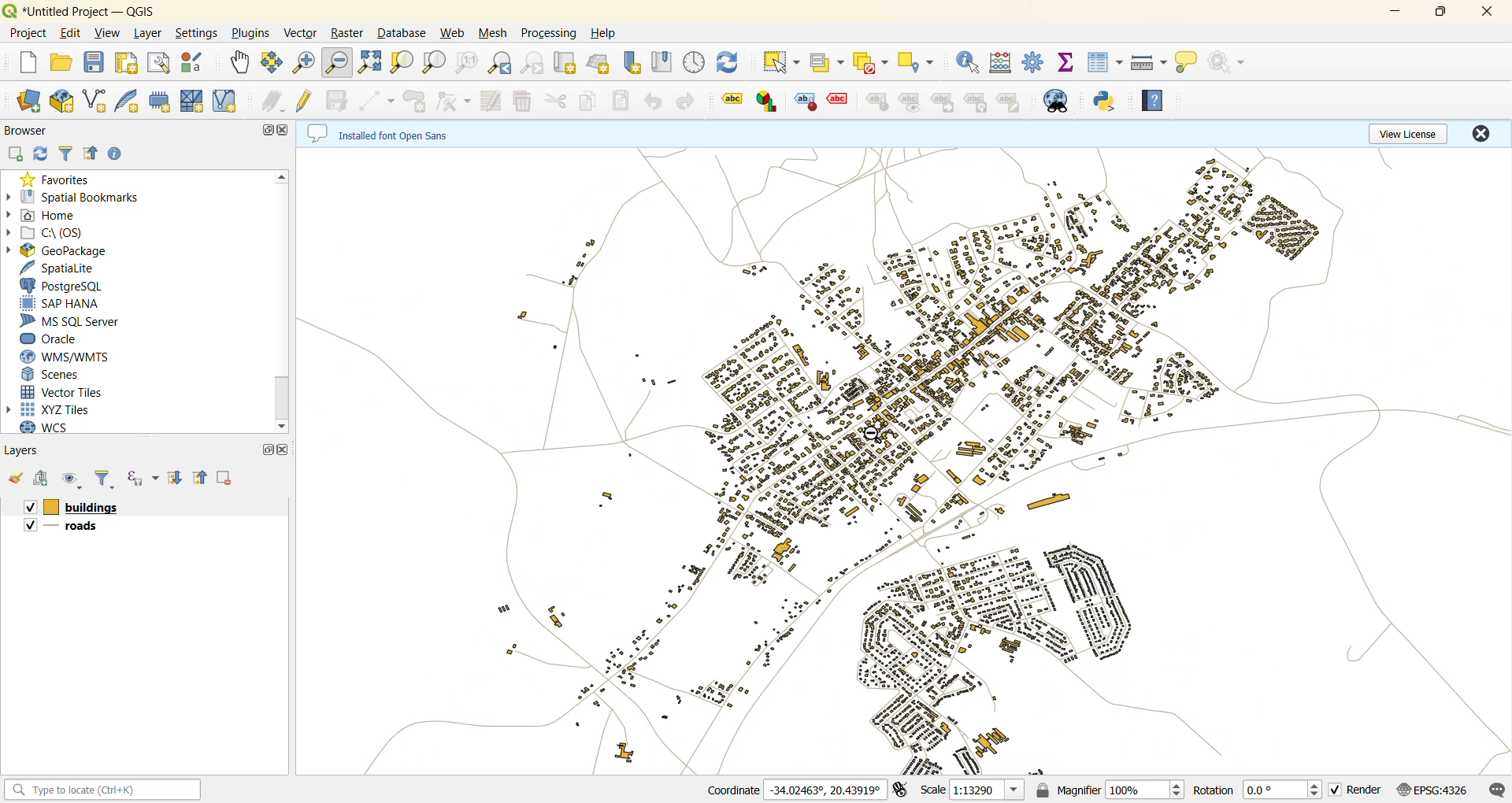 Image resolution: width=1512 pixels, height=803 pixels. What do you see at coordinates (1062, 100) in the screenshot?
I see `metasearch` at bounding box center [1062, 100].